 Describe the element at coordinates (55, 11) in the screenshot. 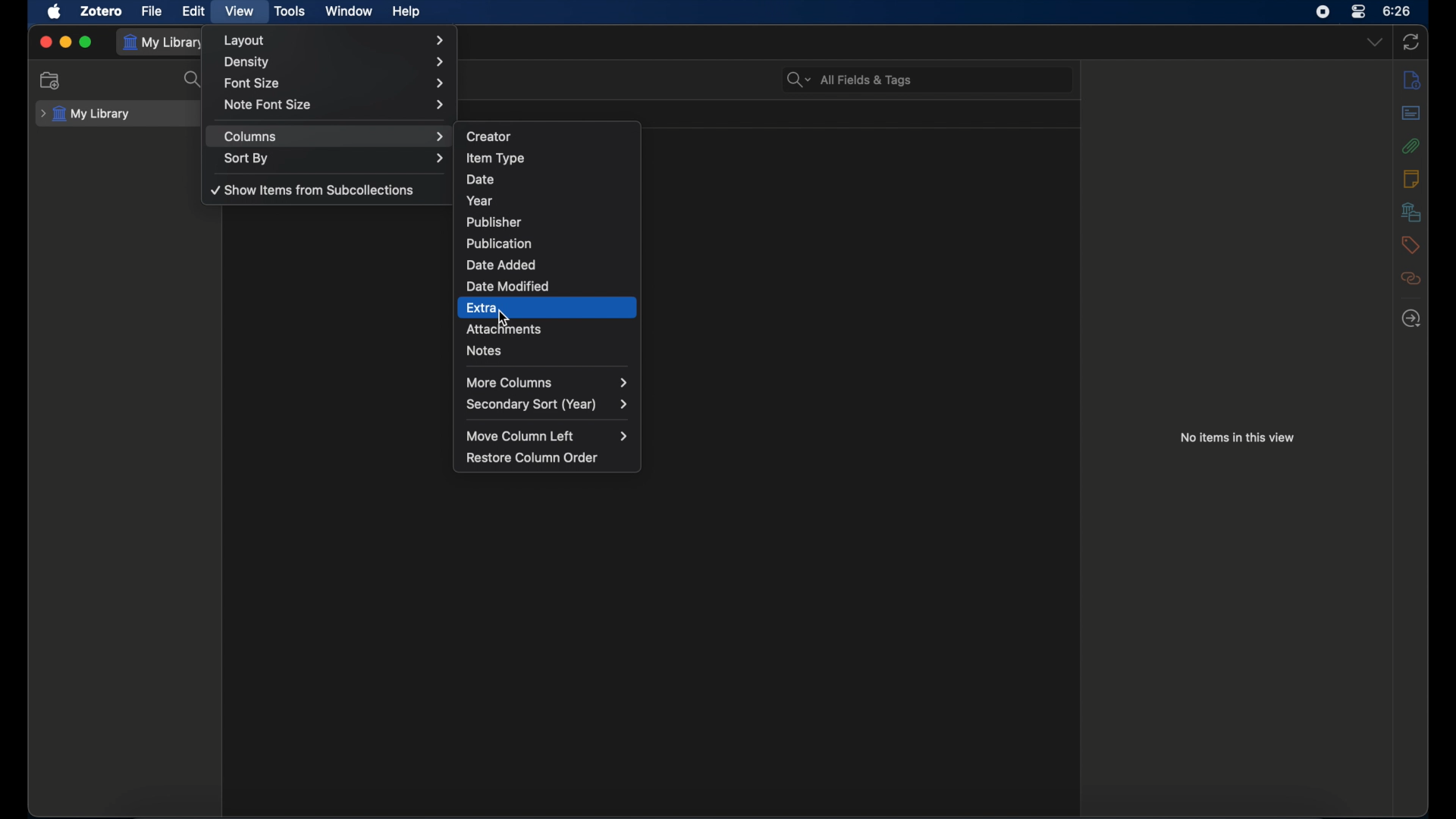

I see `apple icon` at that location.